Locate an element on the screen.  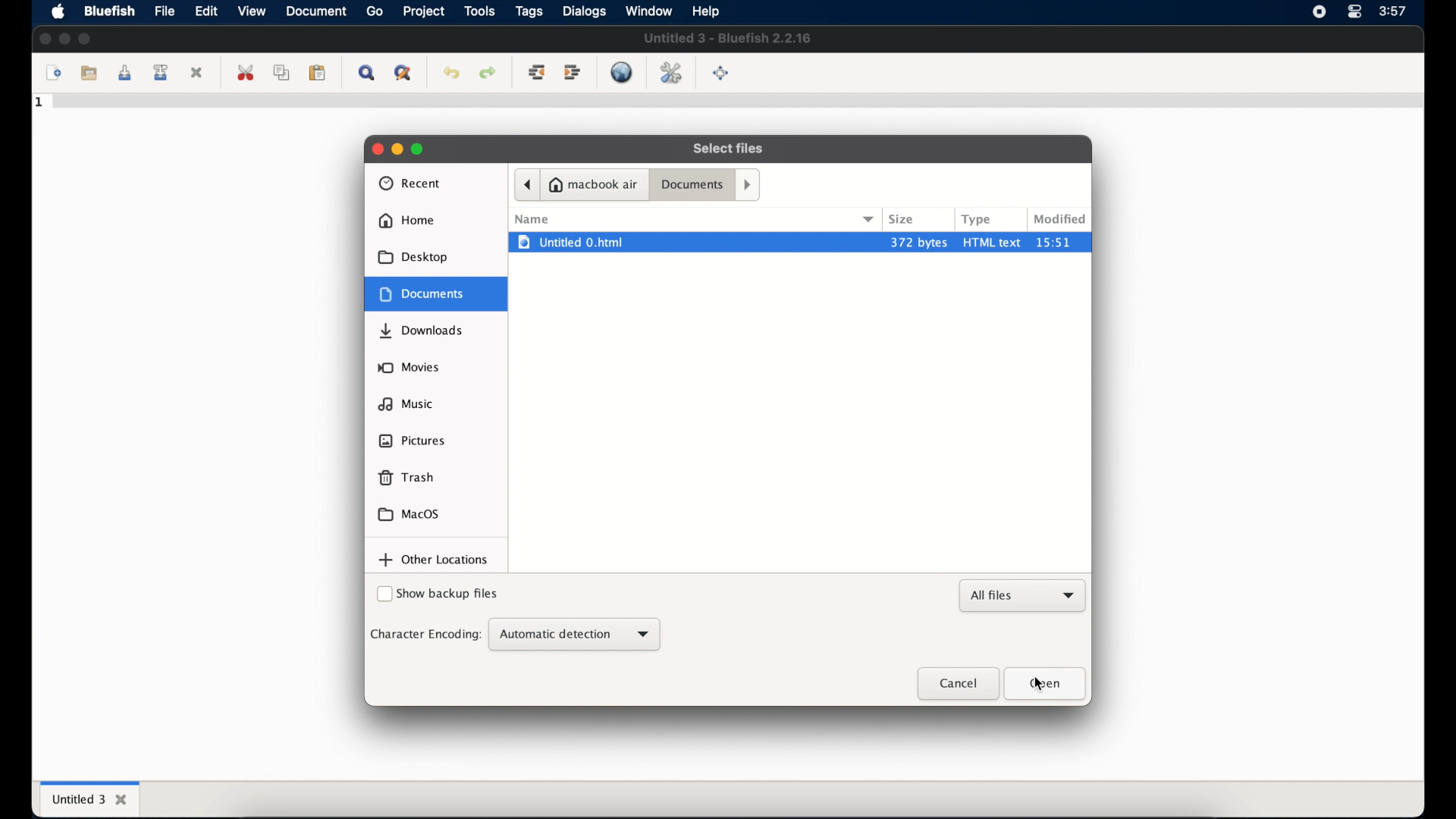
name is located at coordinates (532, 219).